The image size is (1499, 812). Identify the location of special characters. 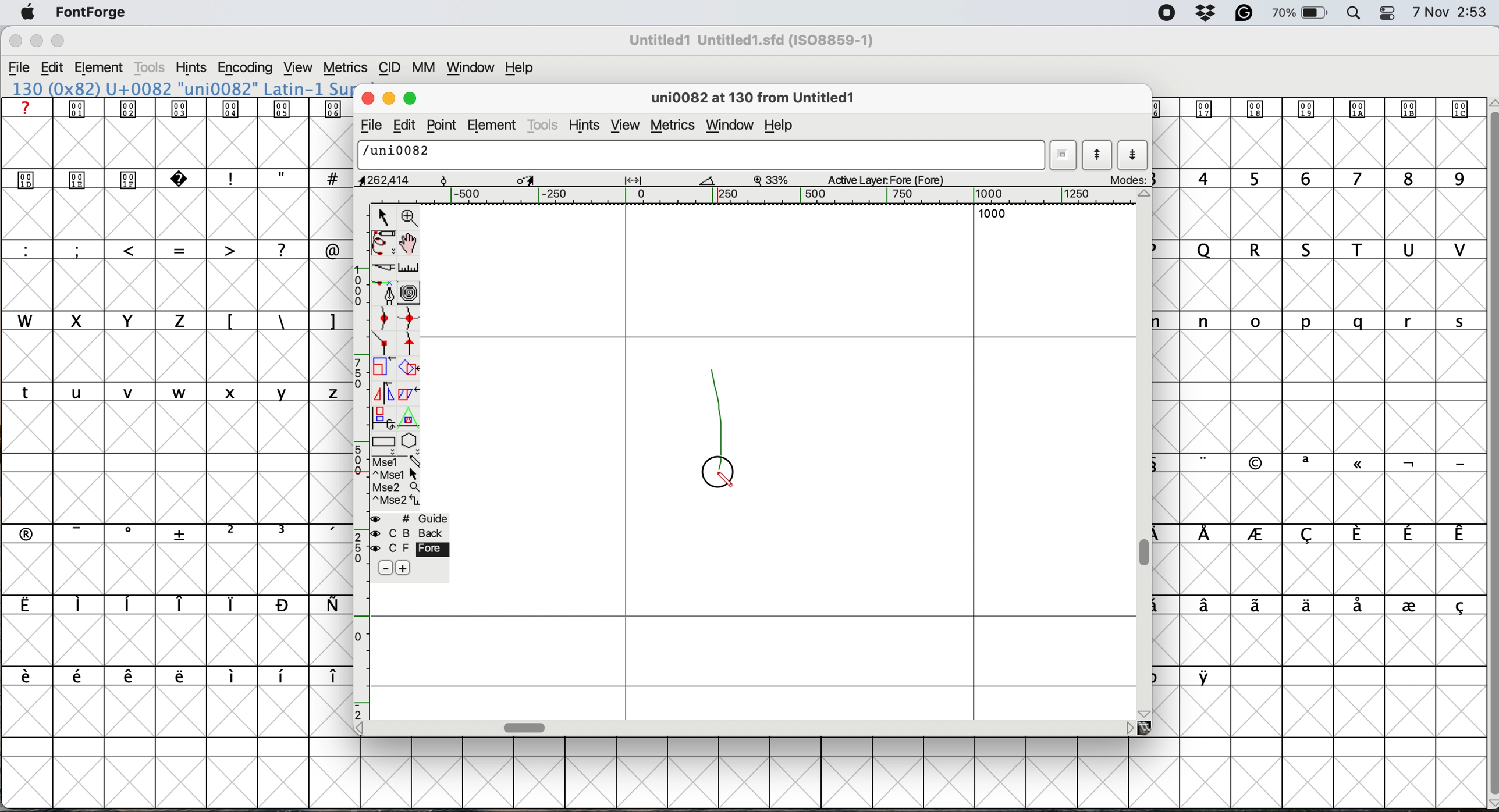
(1310, 462).